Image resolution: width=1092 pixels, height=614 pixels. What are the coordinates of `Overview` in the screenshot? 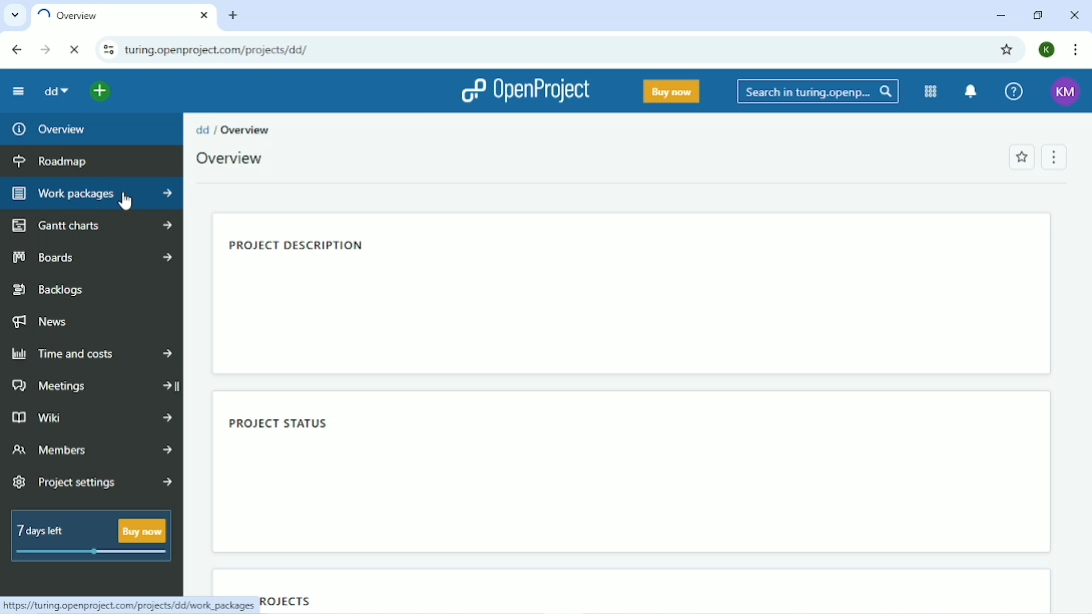 It's located at (48, 129).